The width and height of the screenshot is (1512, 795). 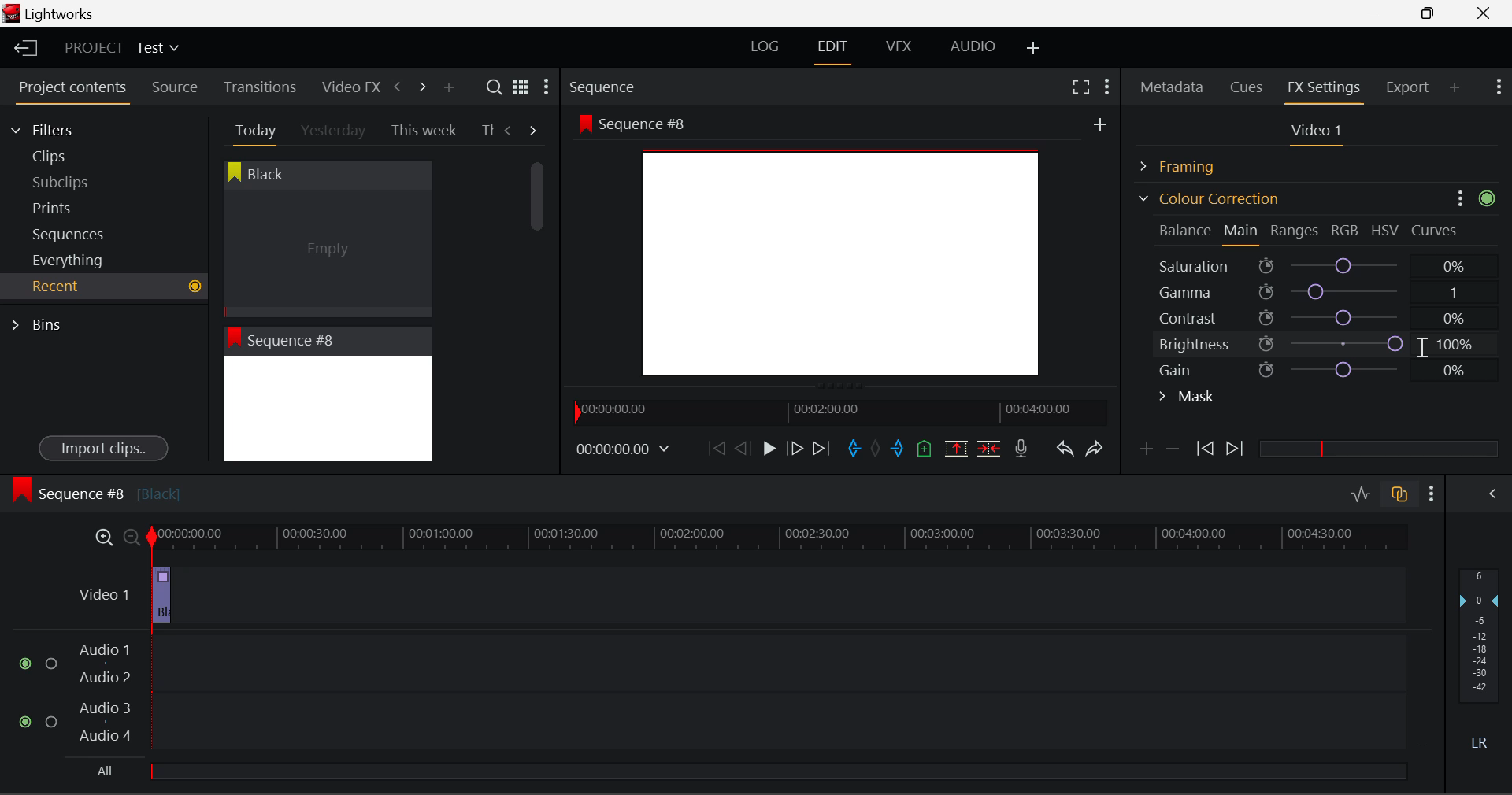 What do you see at coordinates (1143, 452) in the screenshot?
I see `Add keyframe` at bounding box center [1143, 452].